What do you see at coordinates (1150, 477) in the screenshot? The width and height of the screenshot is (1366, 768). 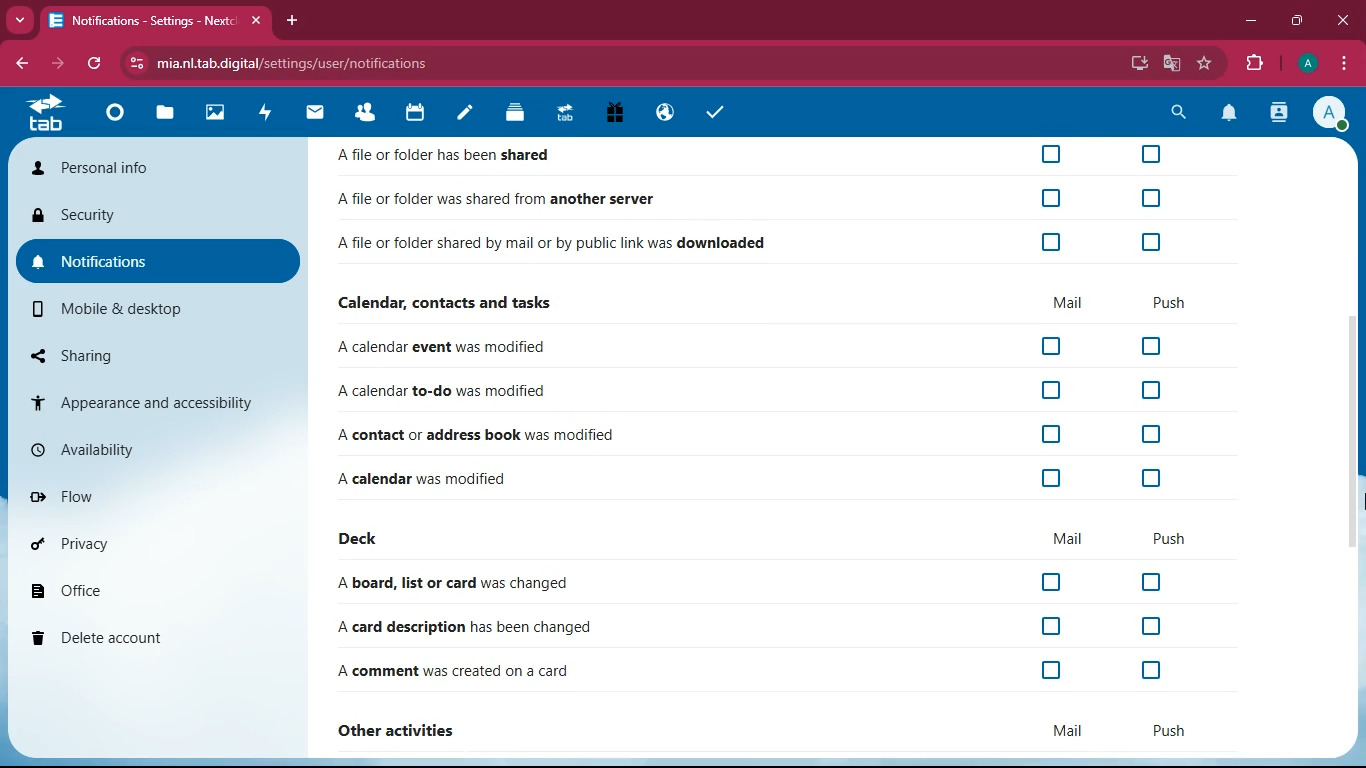 I see `off` at bounding box center [1150, 477].